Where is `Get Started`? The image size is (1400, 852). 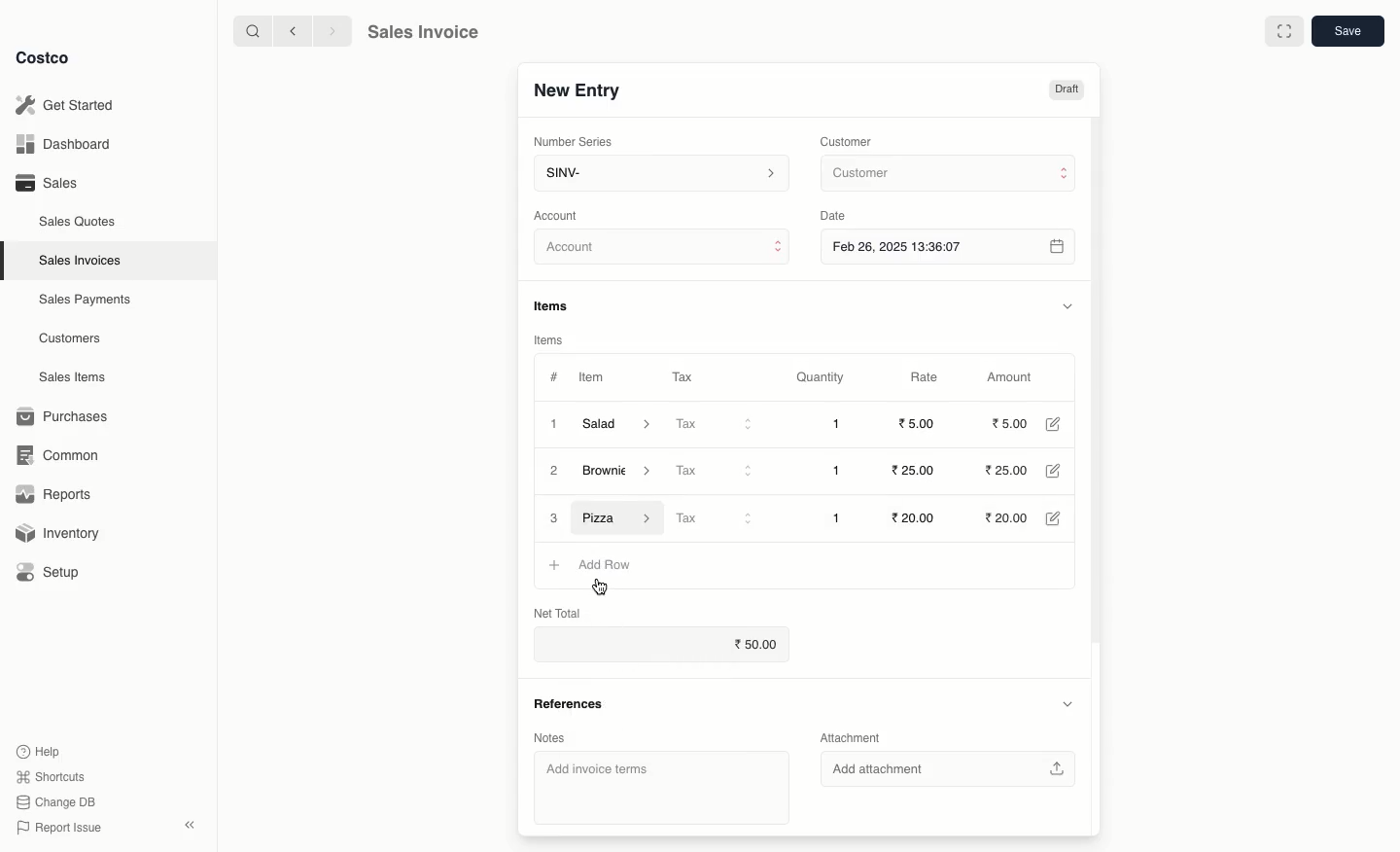 Get Started is located at coordinates (64, 104).